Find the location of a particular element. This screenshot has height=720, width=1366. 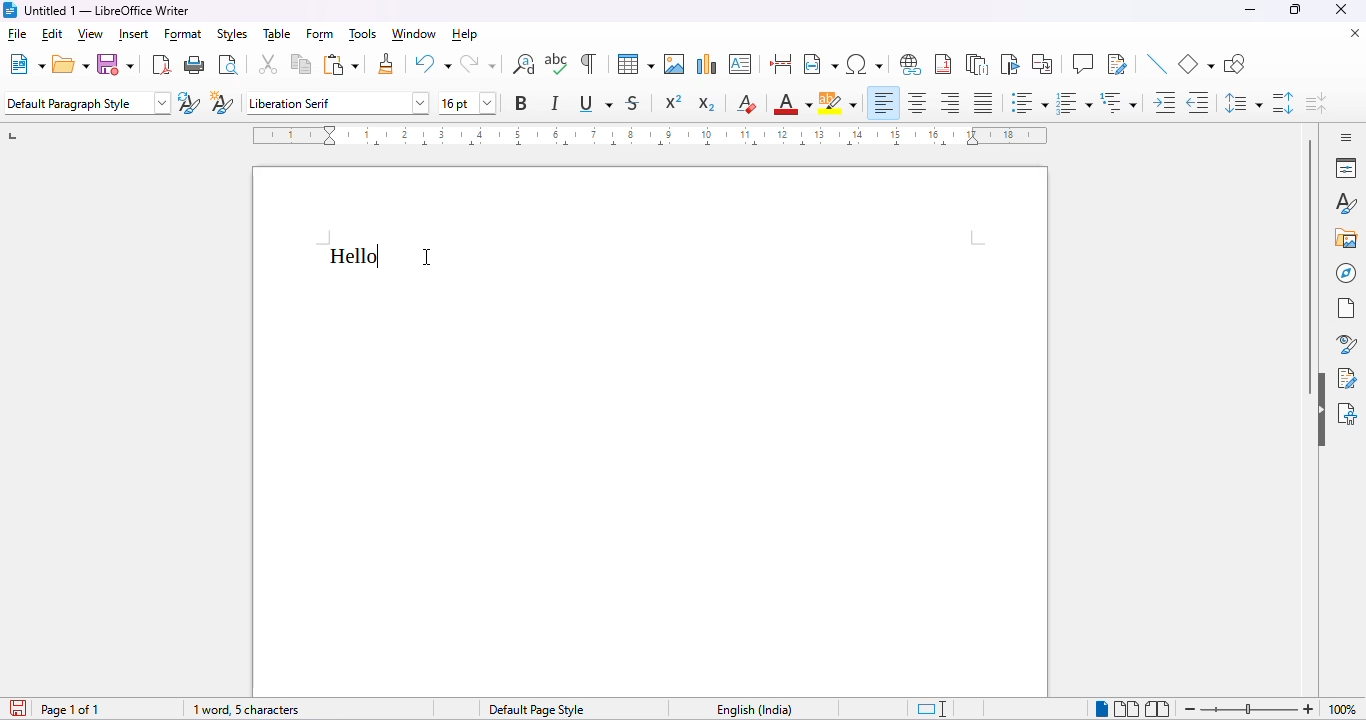

text language is located at coordinates (756, 710).